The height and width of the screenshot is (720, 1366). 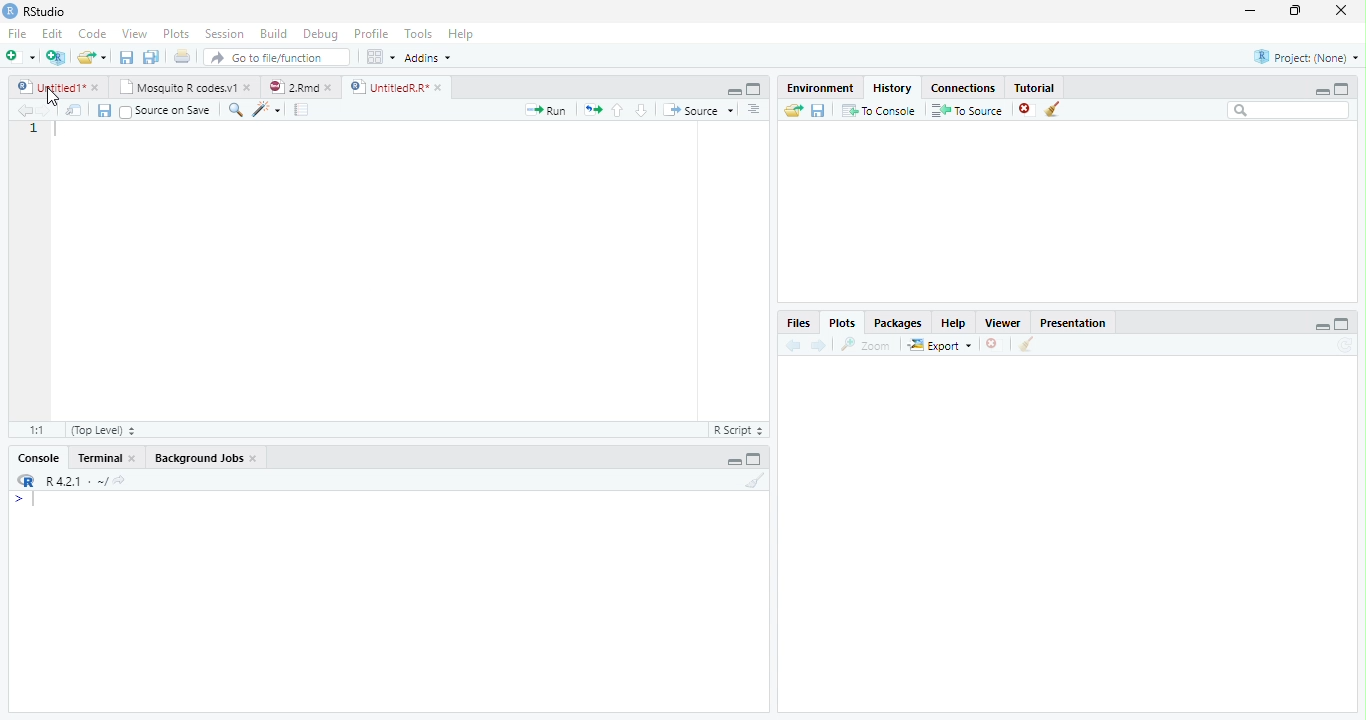 I want to click on R421 - ~/, so click(x=70, y=481).